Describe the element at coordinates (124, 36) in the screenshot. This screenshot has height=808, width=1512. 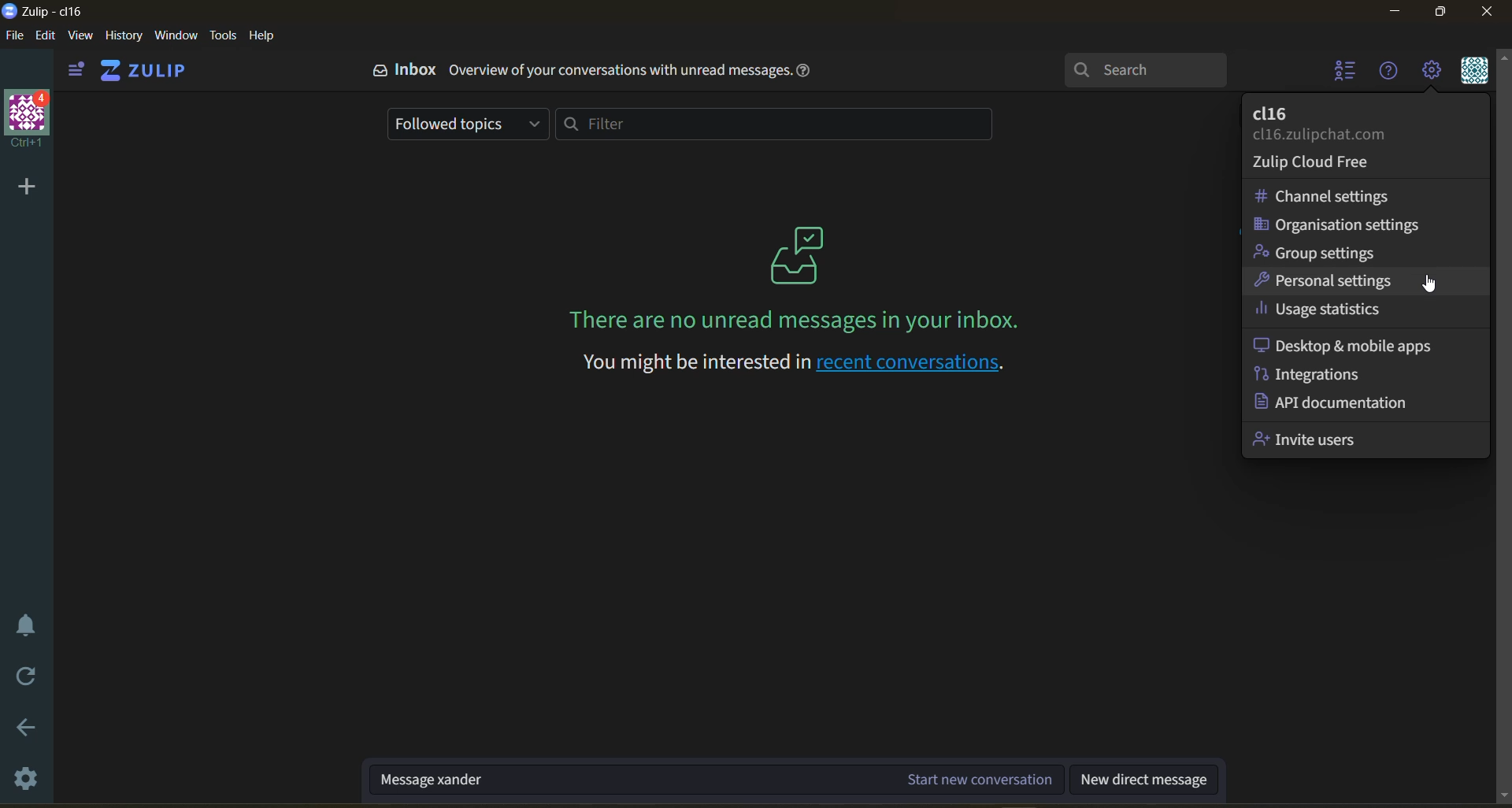
I see `history` at that location.